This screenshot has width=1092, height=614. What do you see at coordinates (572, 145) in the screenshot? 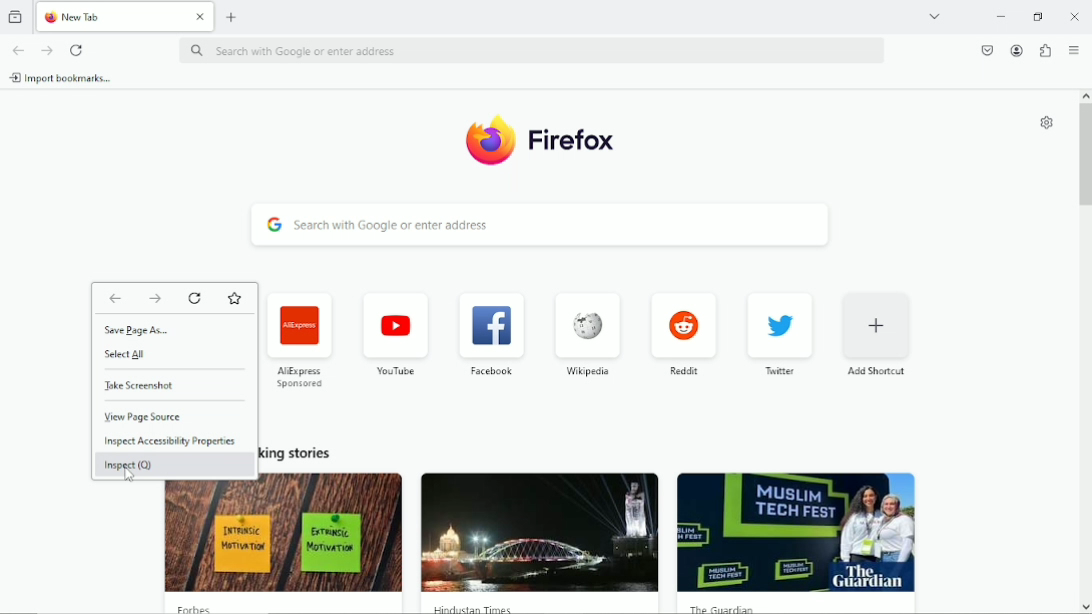
I see `Firefox` at bounding box center [572, 145].